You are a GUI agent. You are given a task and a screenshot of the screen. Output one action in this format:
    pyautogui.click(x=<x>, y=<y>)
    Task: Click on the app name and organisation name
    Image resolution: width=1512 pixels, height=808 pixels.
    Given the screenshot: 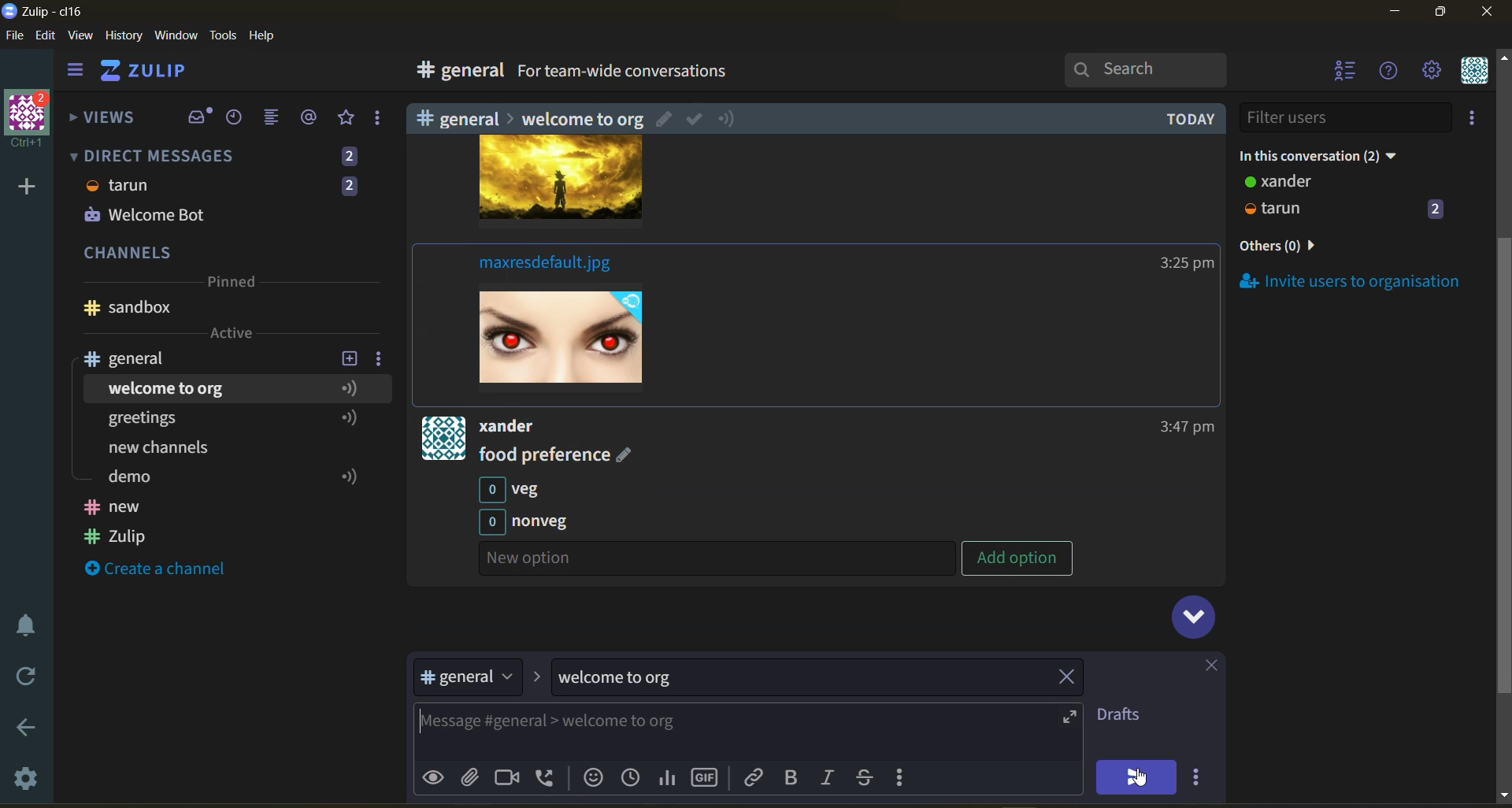 What is the action you would take?
    pyautogui.click(x=43, y=12)
    